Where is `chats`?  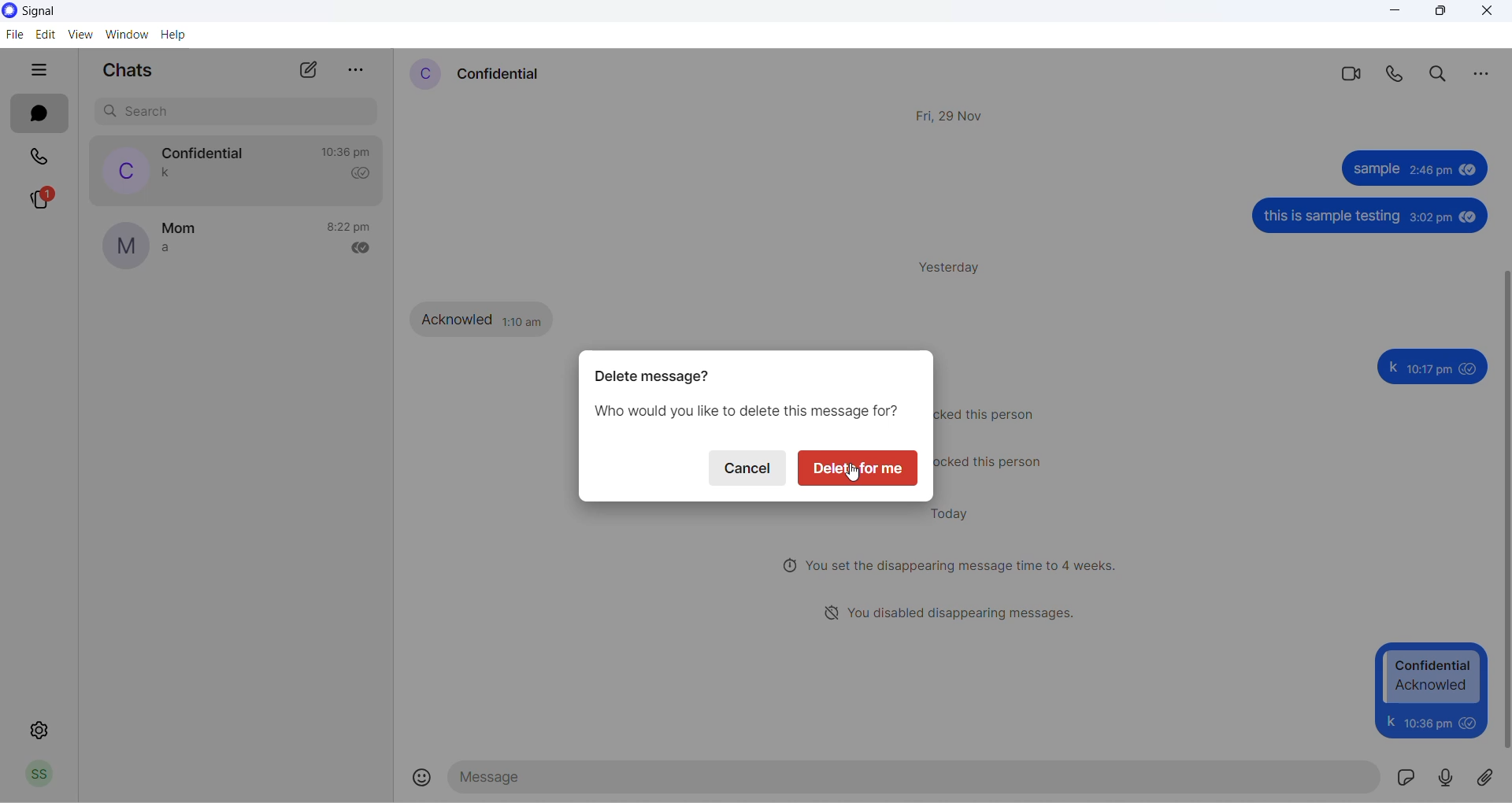 chats is located at coordinates (39, 113).